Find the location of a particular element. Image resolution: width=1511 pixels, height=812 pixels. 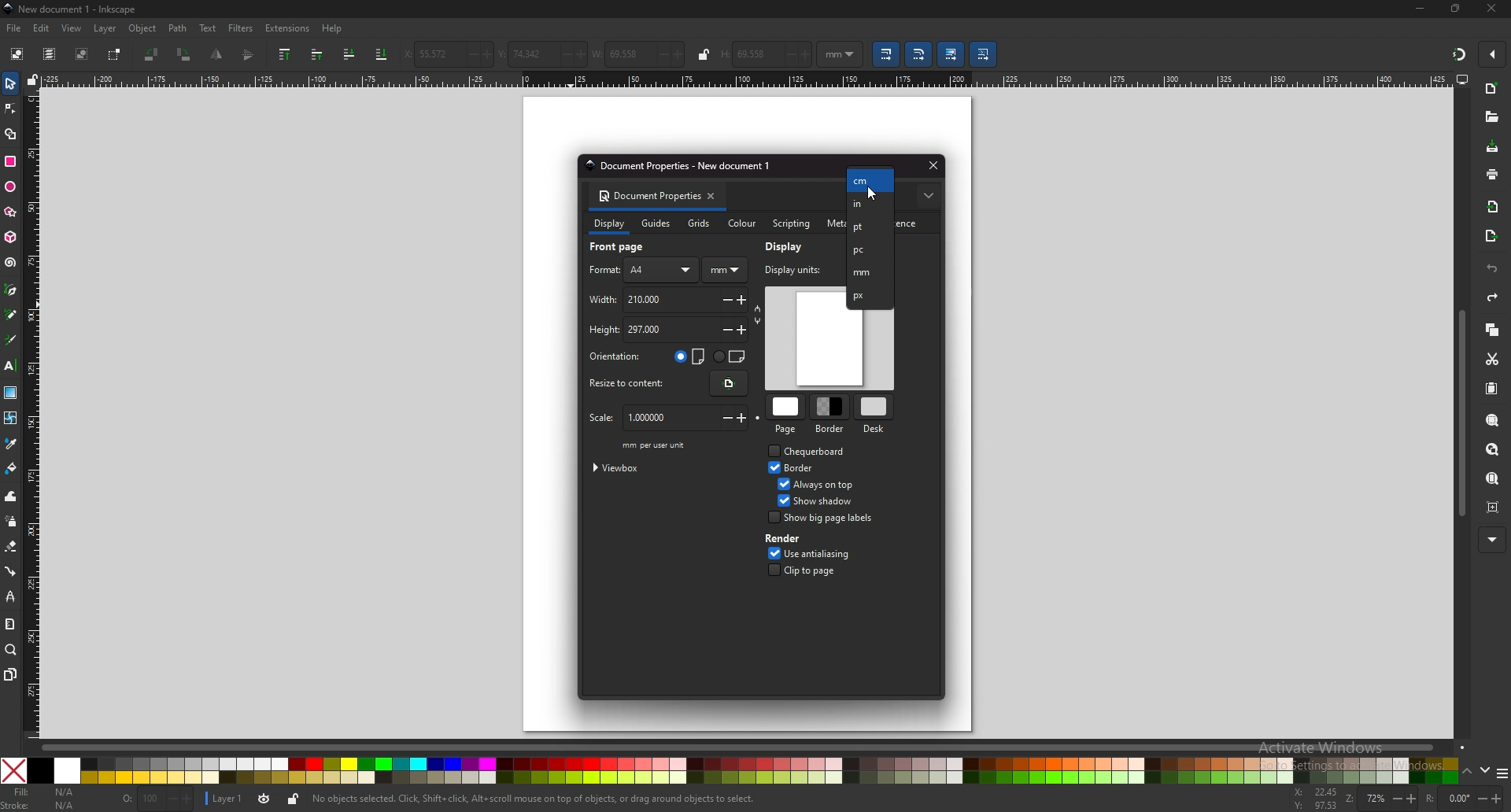

- is located at coordinates (1478, 798).